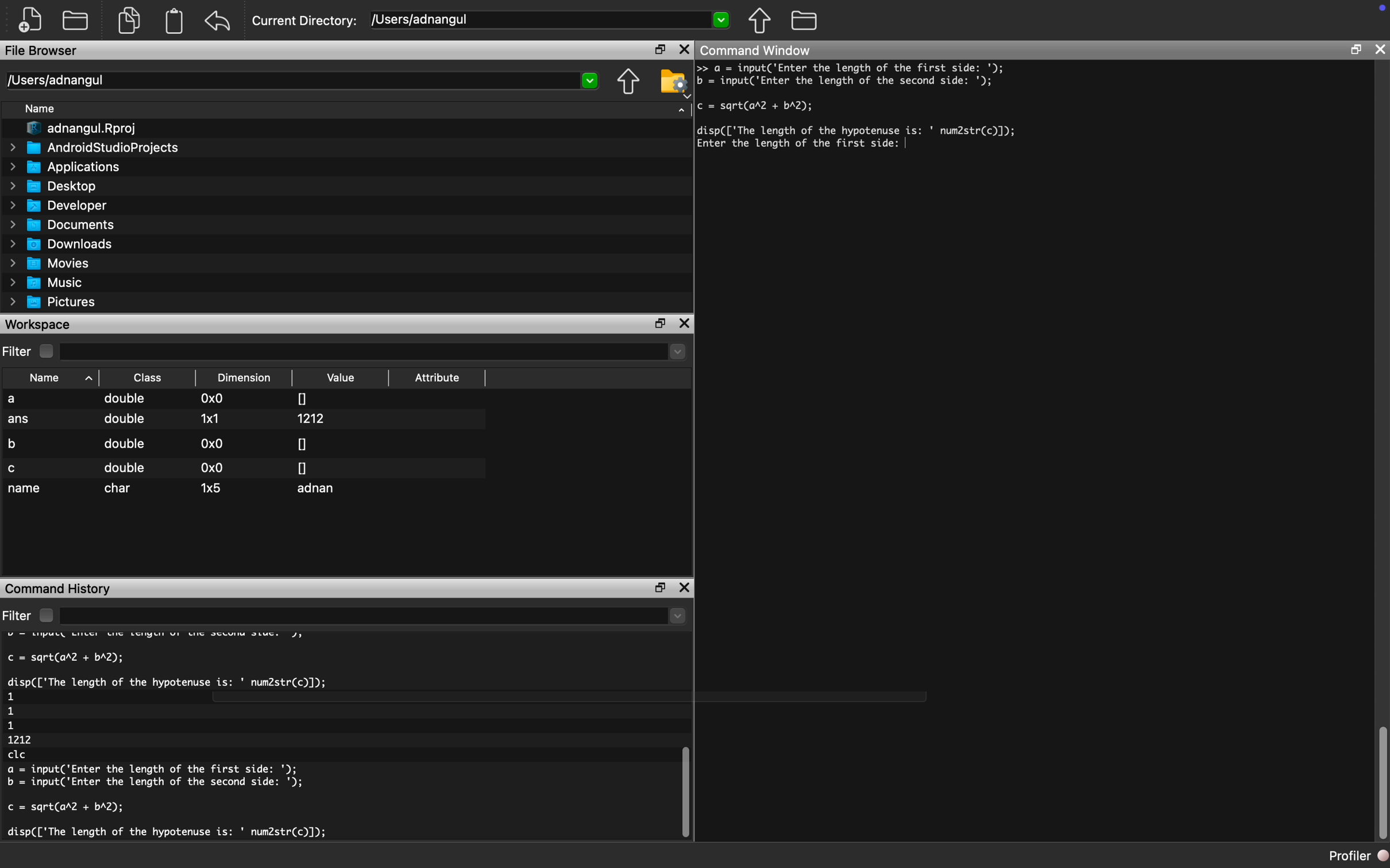  What do you see at coordinates (49, 351) in the screenshot?
I see `checkbox` at bounding box center [49, 351].